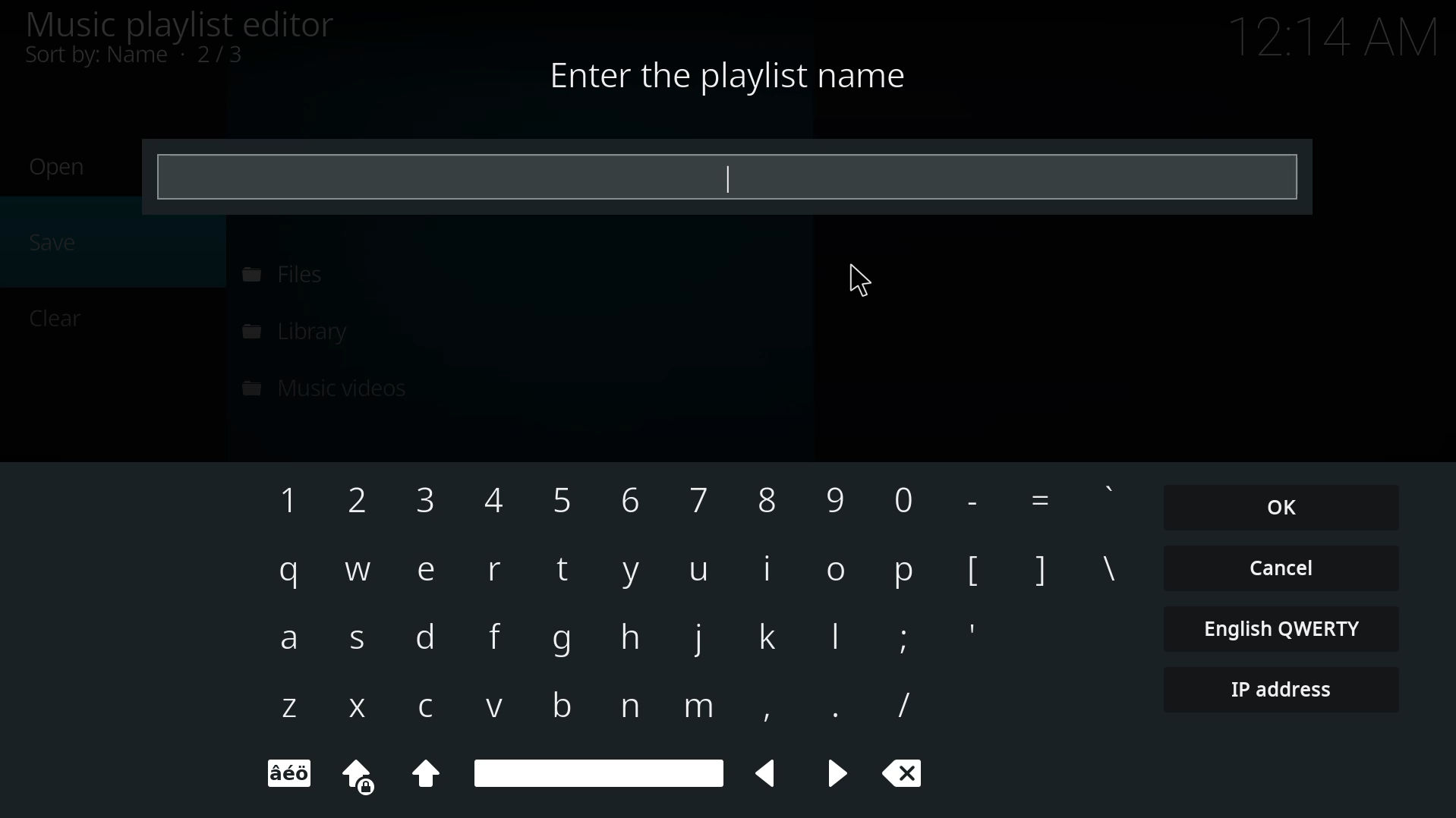 This screenshot has width=1456, height=818. Describe the element at coordinates (693, 634) in the screenshot. I see `keyboard` at that location.